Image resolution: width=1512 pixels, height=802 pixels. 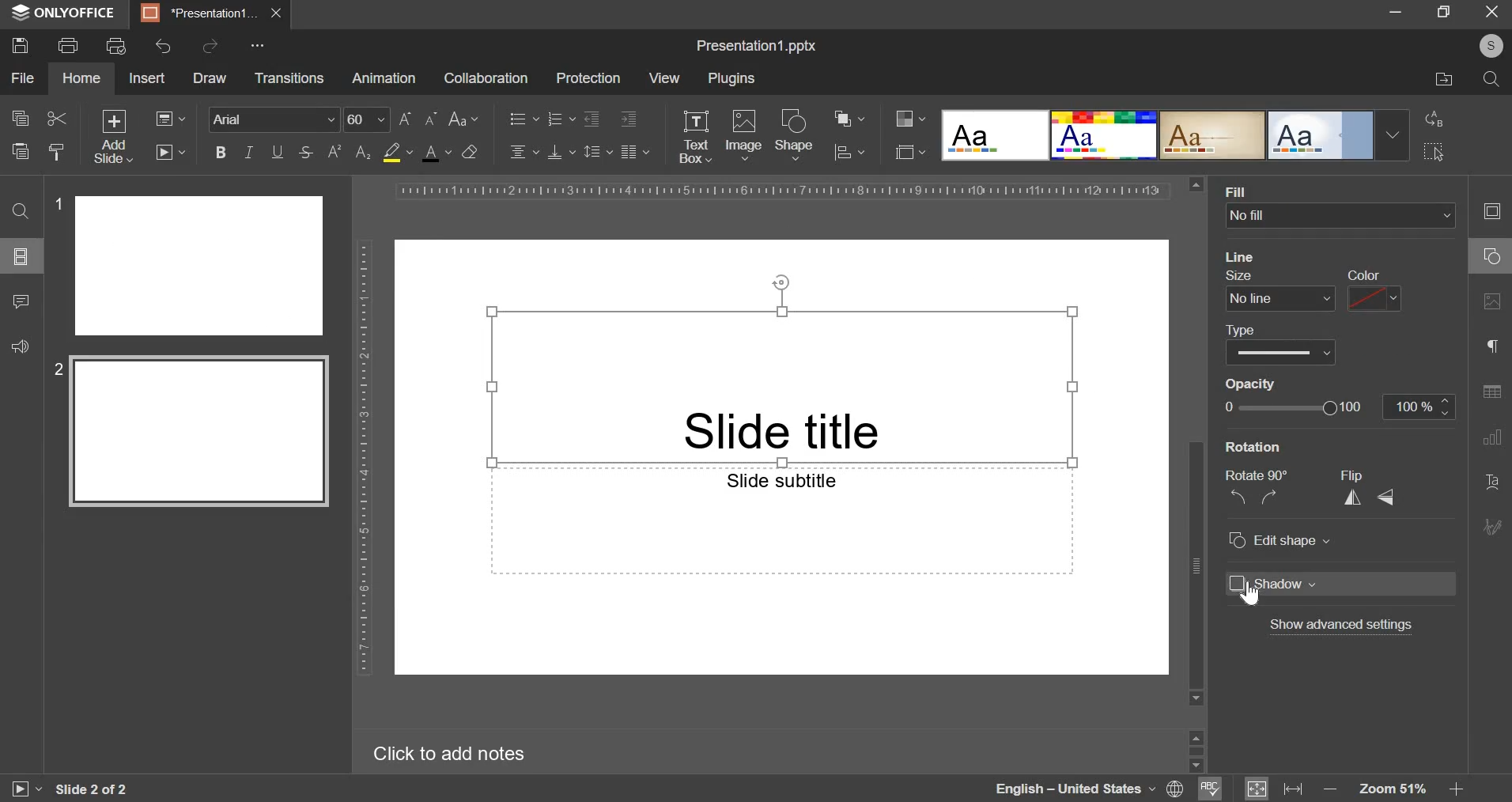 I want to click on show advanced settings, so click(x=1344, y=626).